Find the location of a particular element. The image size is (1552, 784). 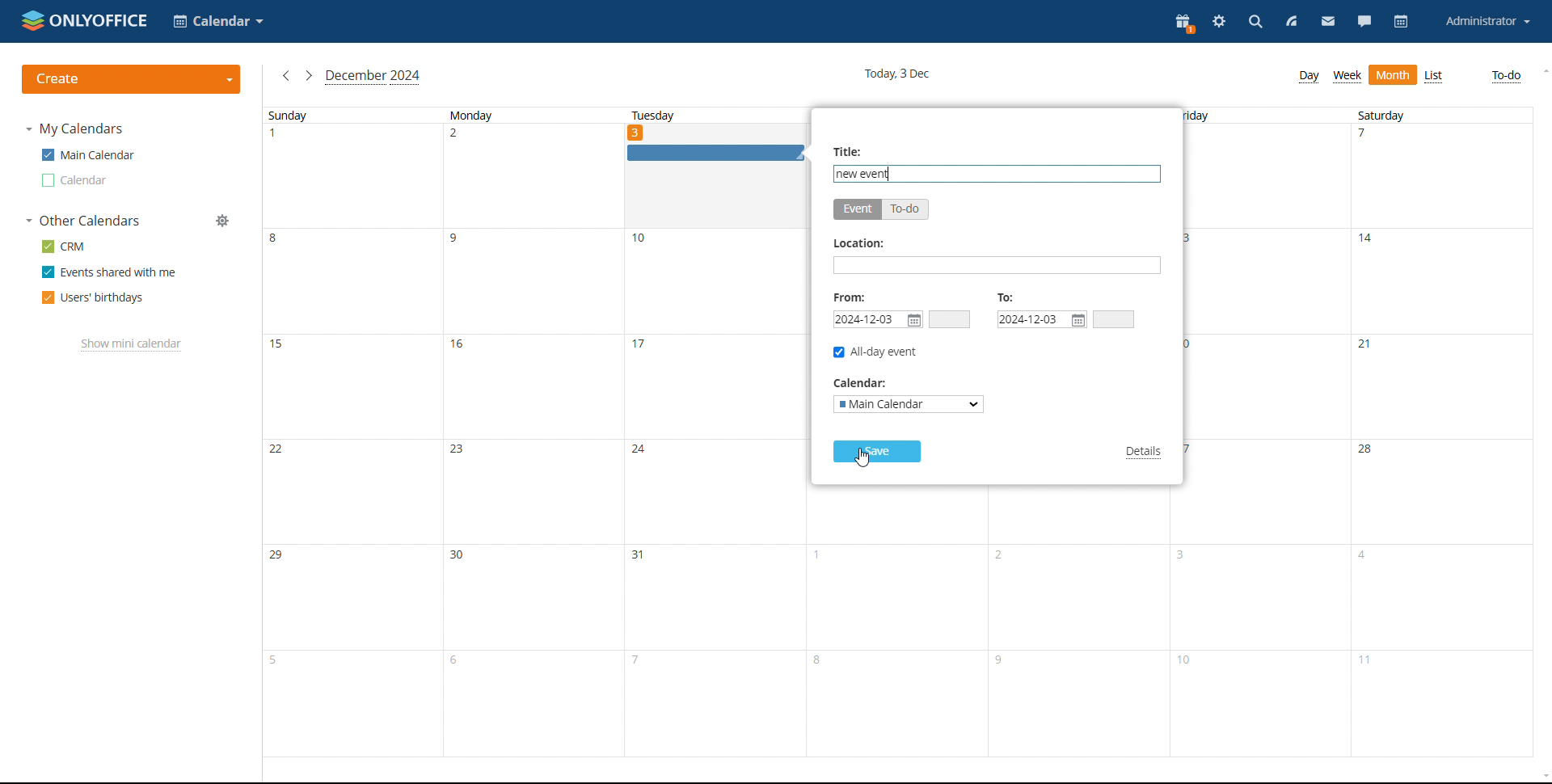

to-do is located at coordinates (1508, 77).